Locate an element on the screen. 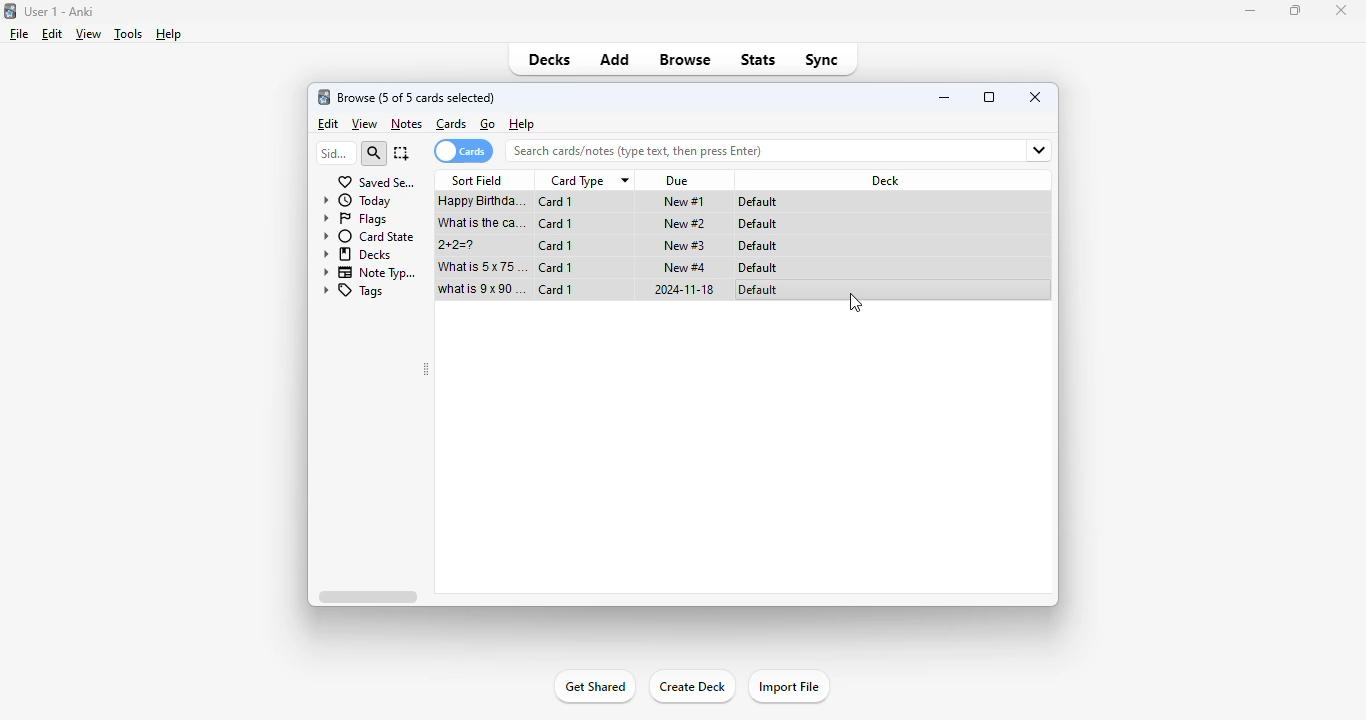 The image size is (1366, 720). close is located at coordinates (1341, 11).